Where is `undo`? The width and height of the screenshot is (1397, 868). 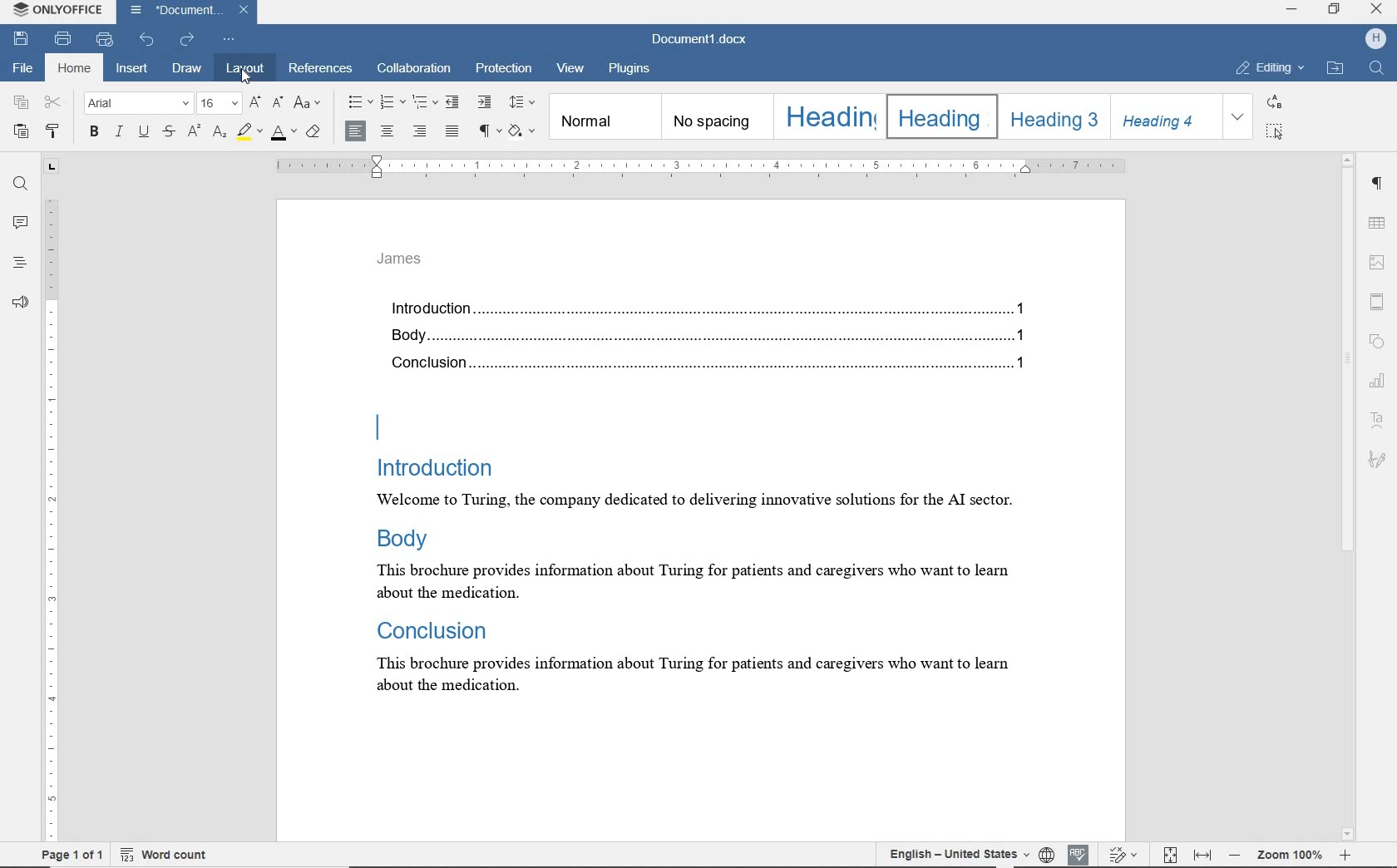 undo is located at coordinates (146, 40).